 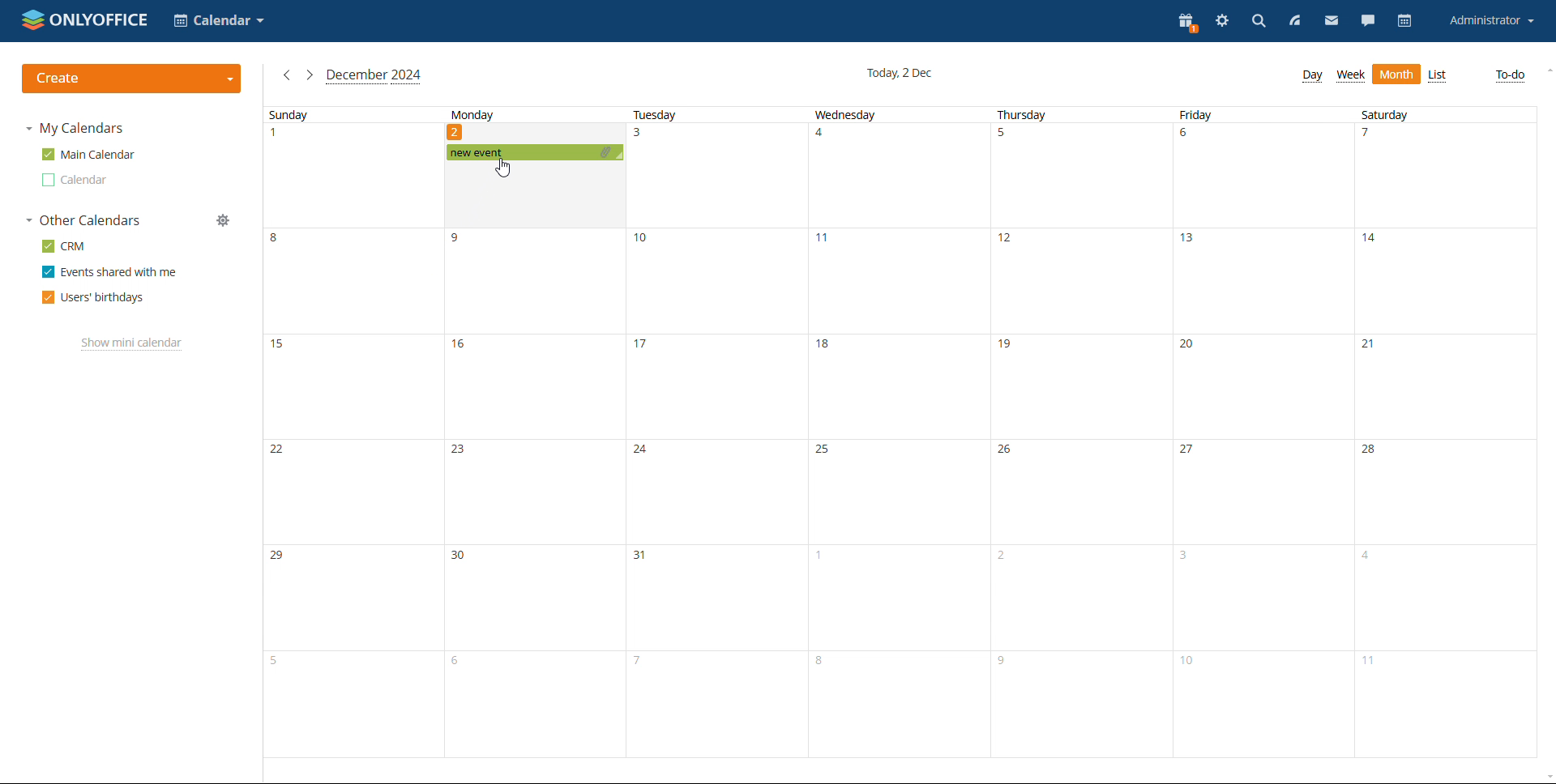 I want to click on 21, so click(x=1371, y=347).